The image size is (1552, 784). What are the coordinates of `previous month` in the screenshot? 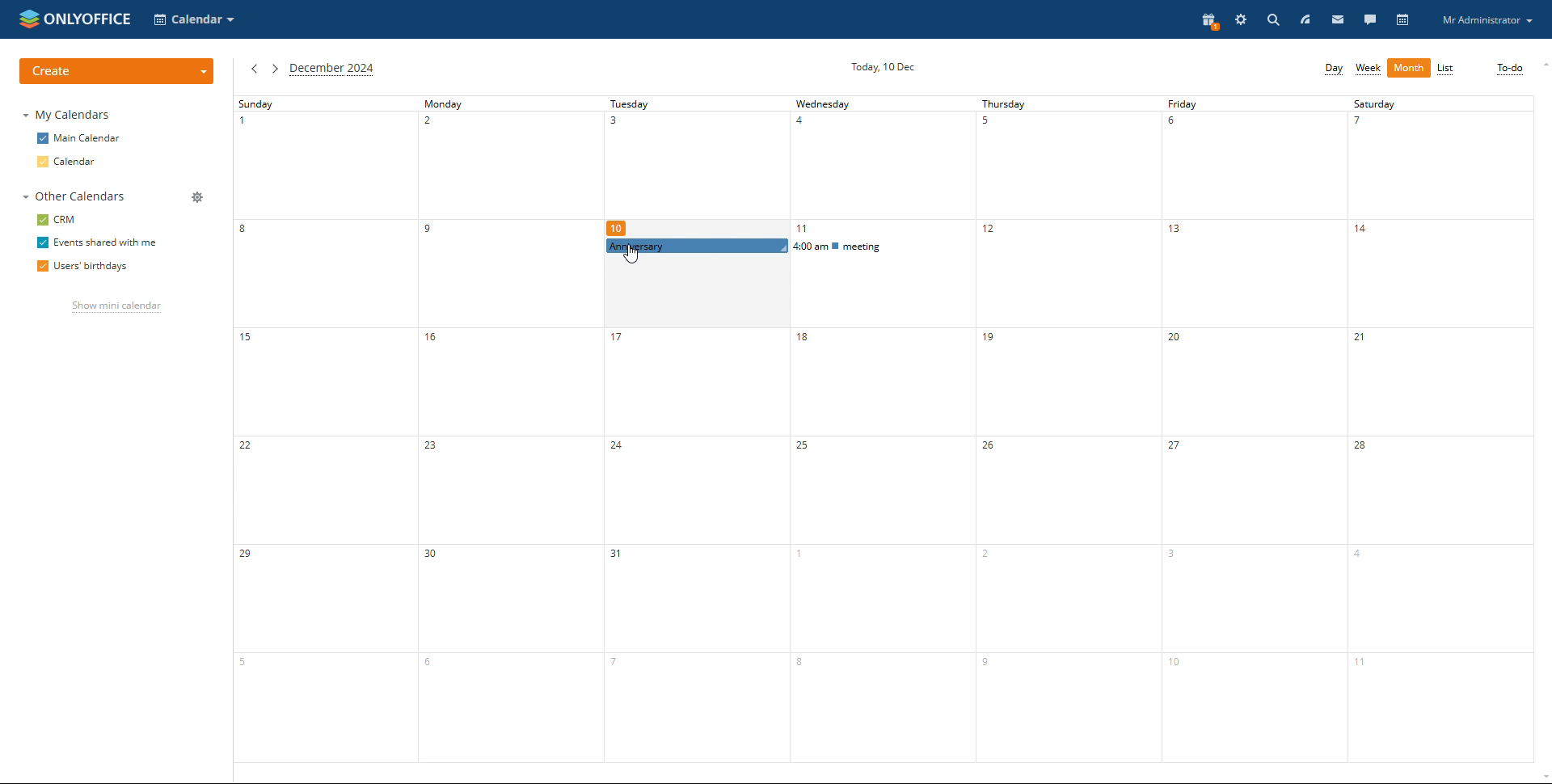 It's located at (254, 69).